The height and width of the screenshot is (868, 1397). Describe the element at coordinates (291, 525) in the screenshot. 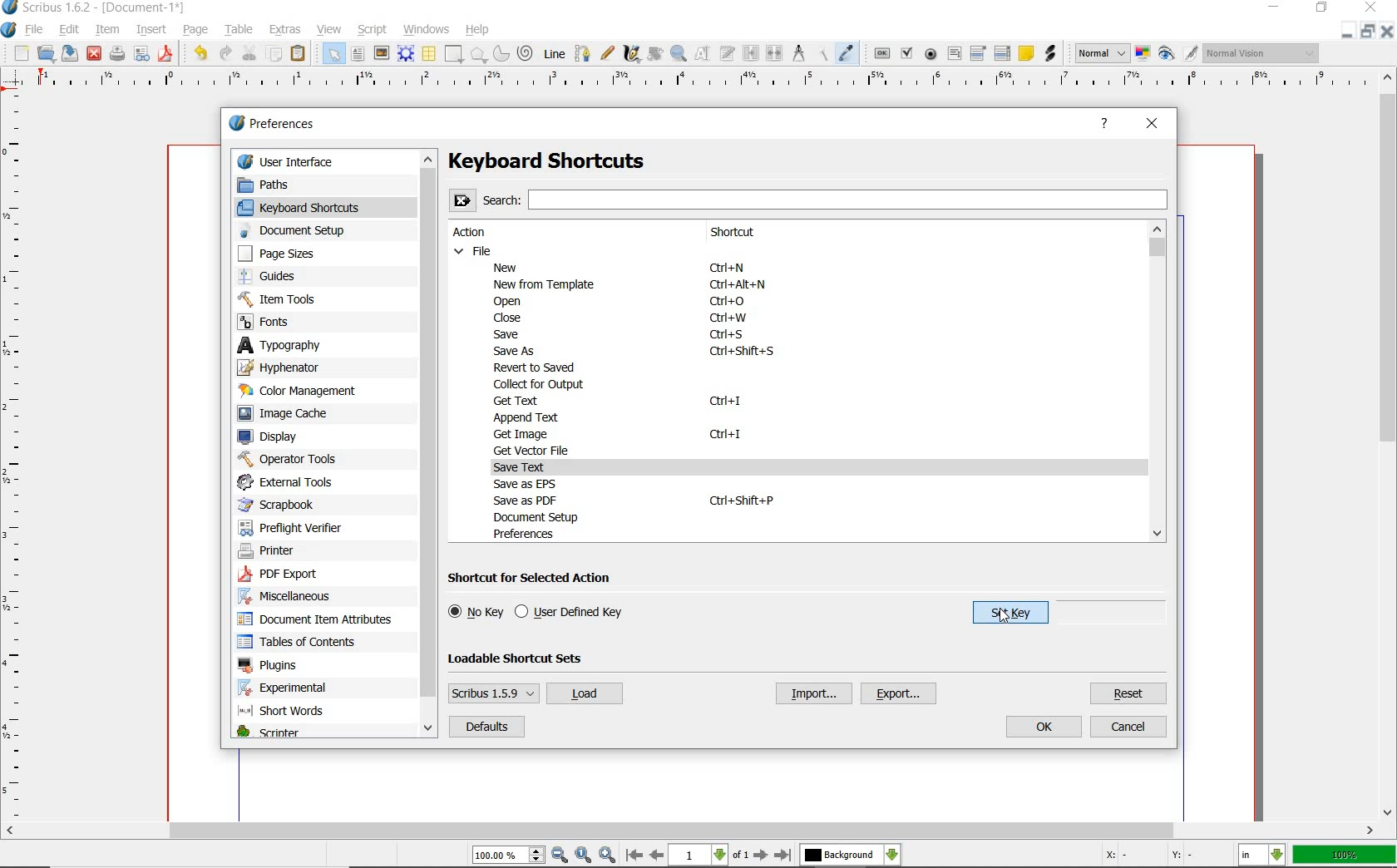

I see `preflight verifier` at that location.